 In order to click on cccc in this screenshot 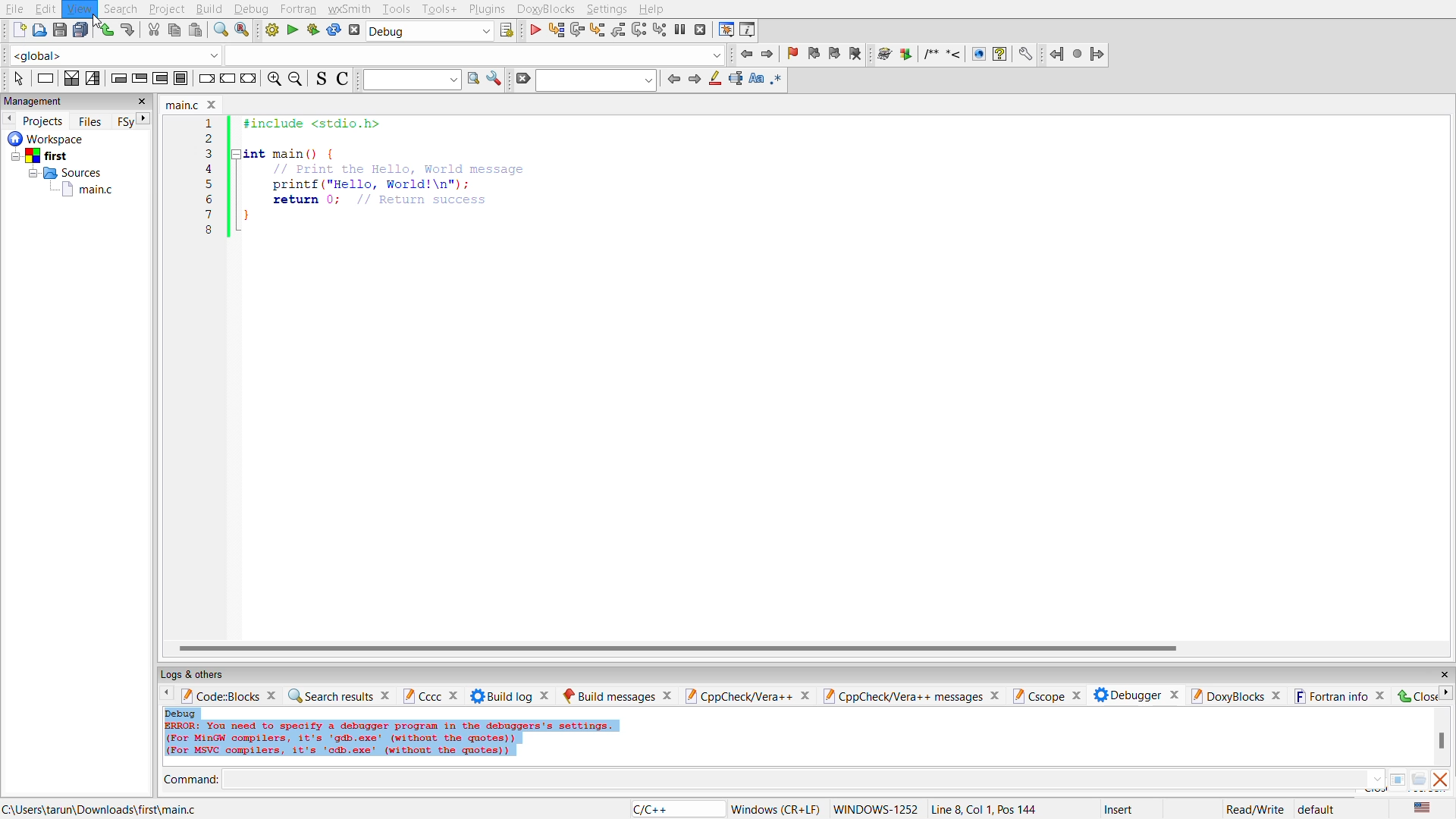, I will do `click(431, 695)`.